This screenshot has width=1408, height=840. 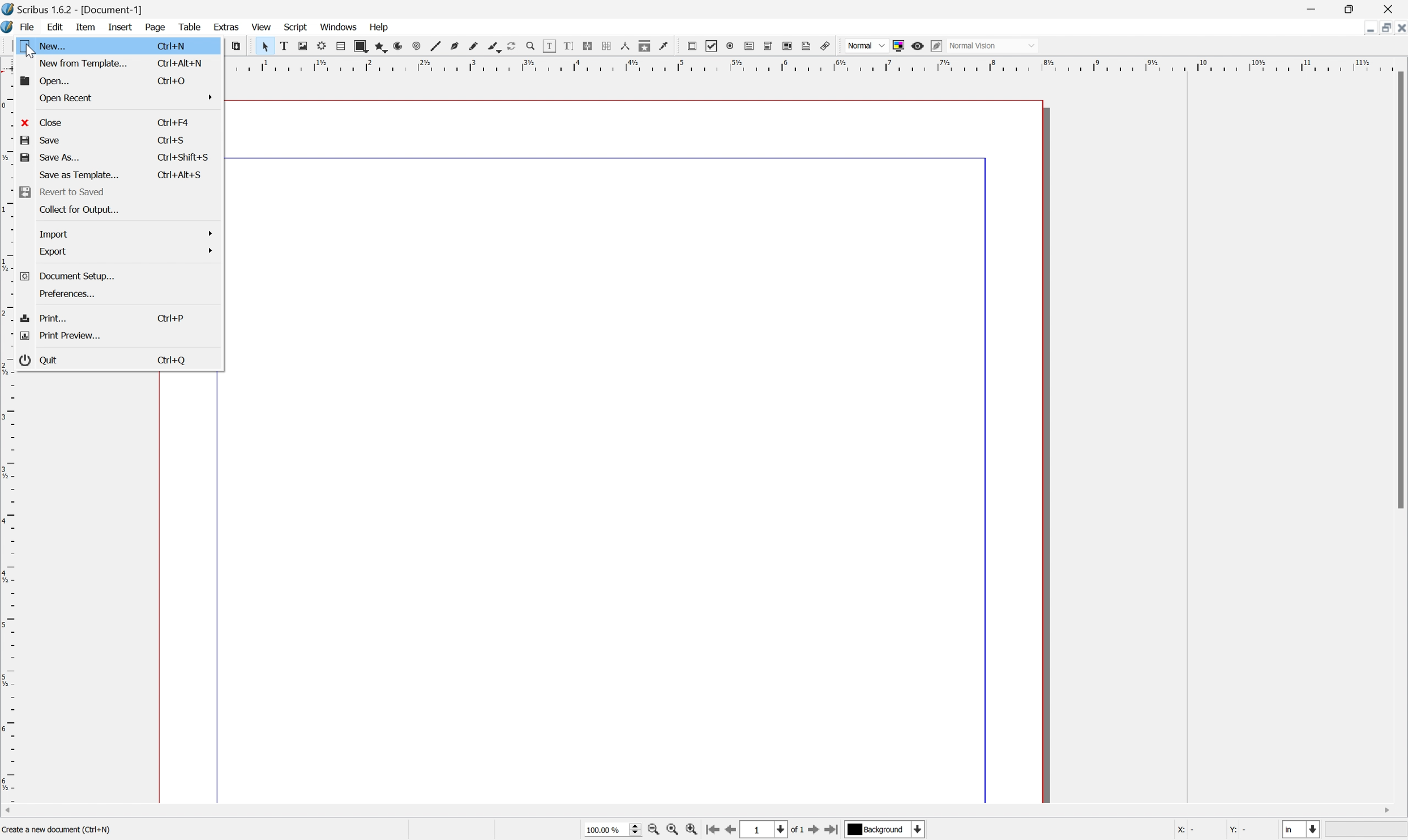 I want to click on Close, so click(x=1399, y=27).